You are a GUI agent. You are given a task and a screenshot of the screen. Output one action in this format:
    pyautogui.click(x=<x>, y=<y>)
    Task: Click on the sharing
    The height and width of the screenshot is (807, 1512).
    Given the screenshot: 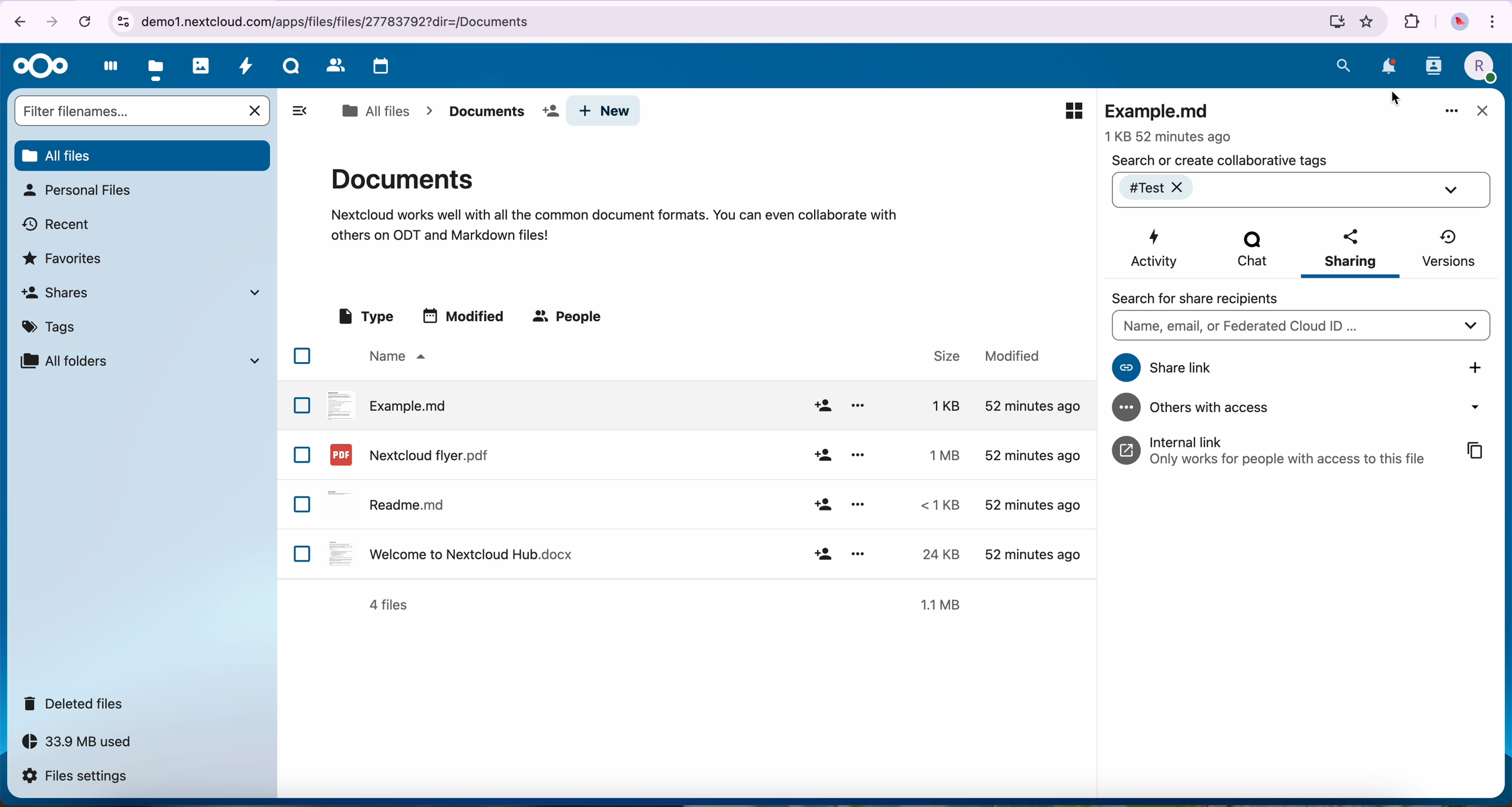 What is the action you would take?
    pyautogui.click(x=1351, y=252)
    